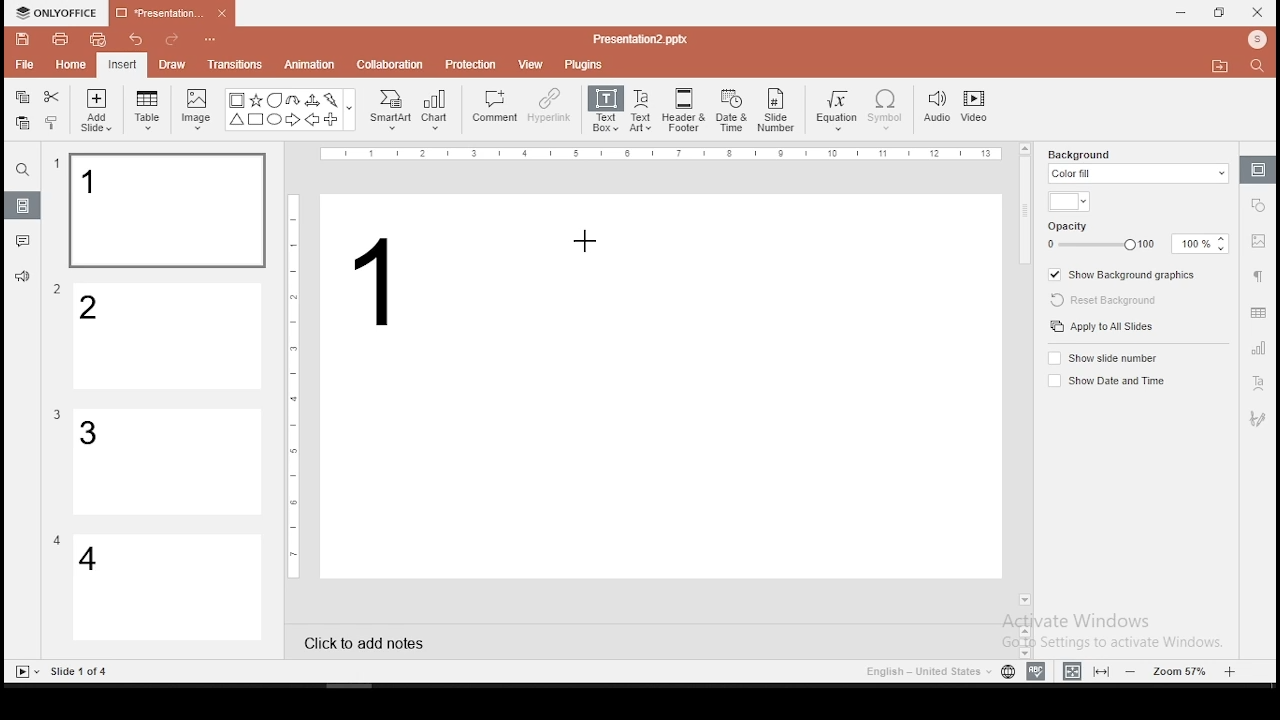 The image size is (1280, 720). I want to click on protection, so click(471, 63).